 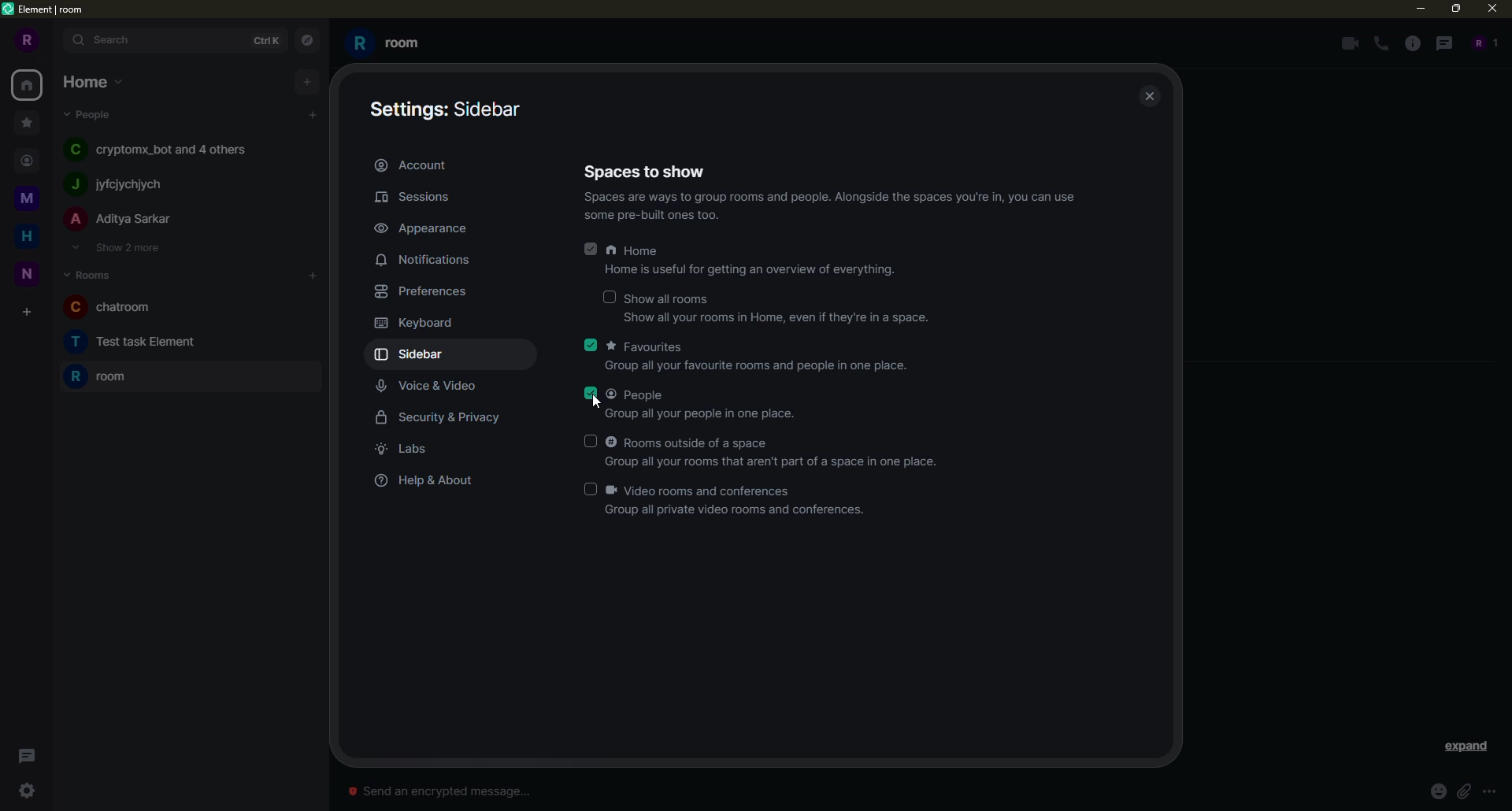 I want to click on navigator, so click(x=305, y=40).